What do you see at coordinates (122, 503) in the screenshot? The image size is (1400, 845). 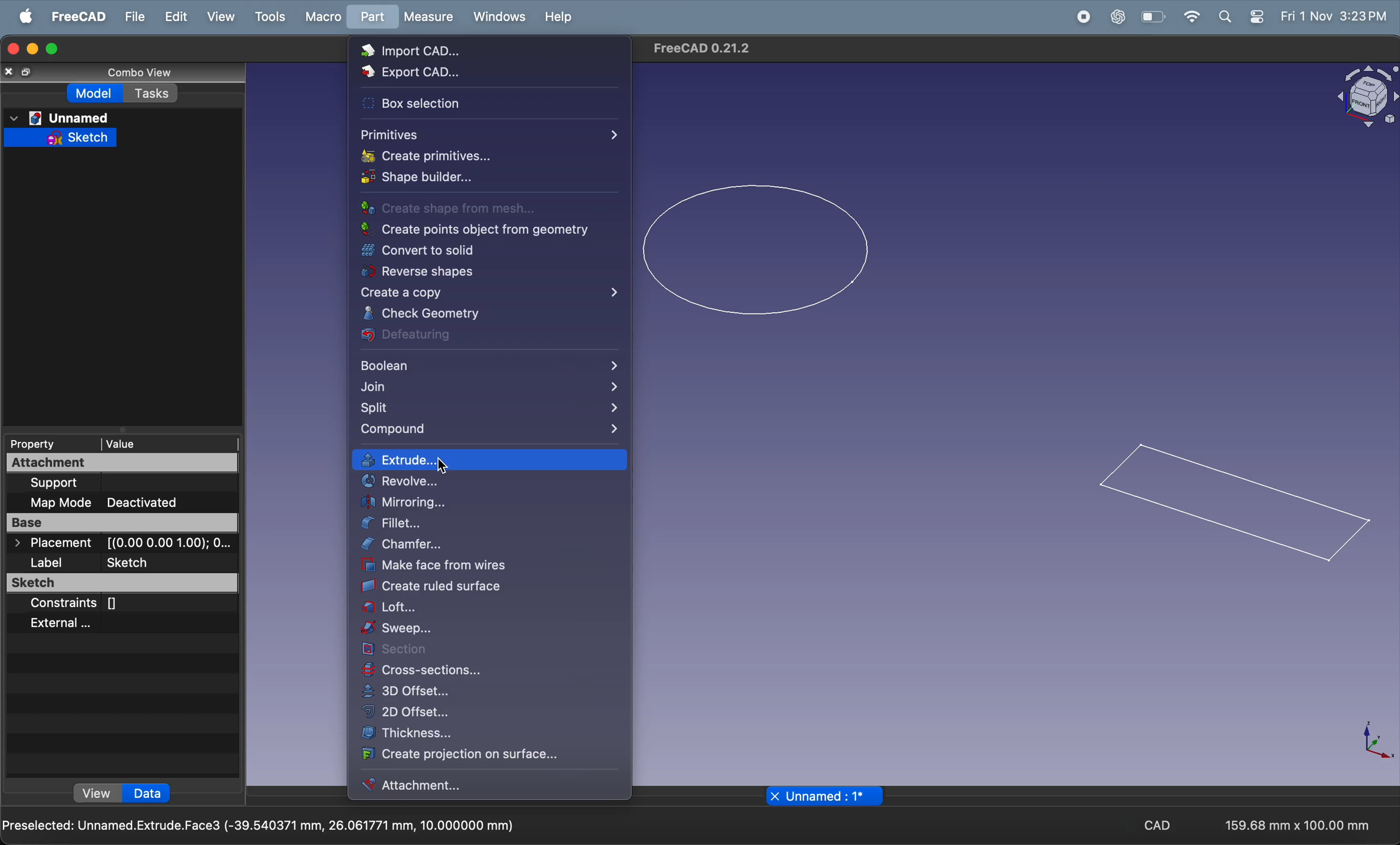 I see `Map Mode Deactivated` at bounding box center [122, 503].